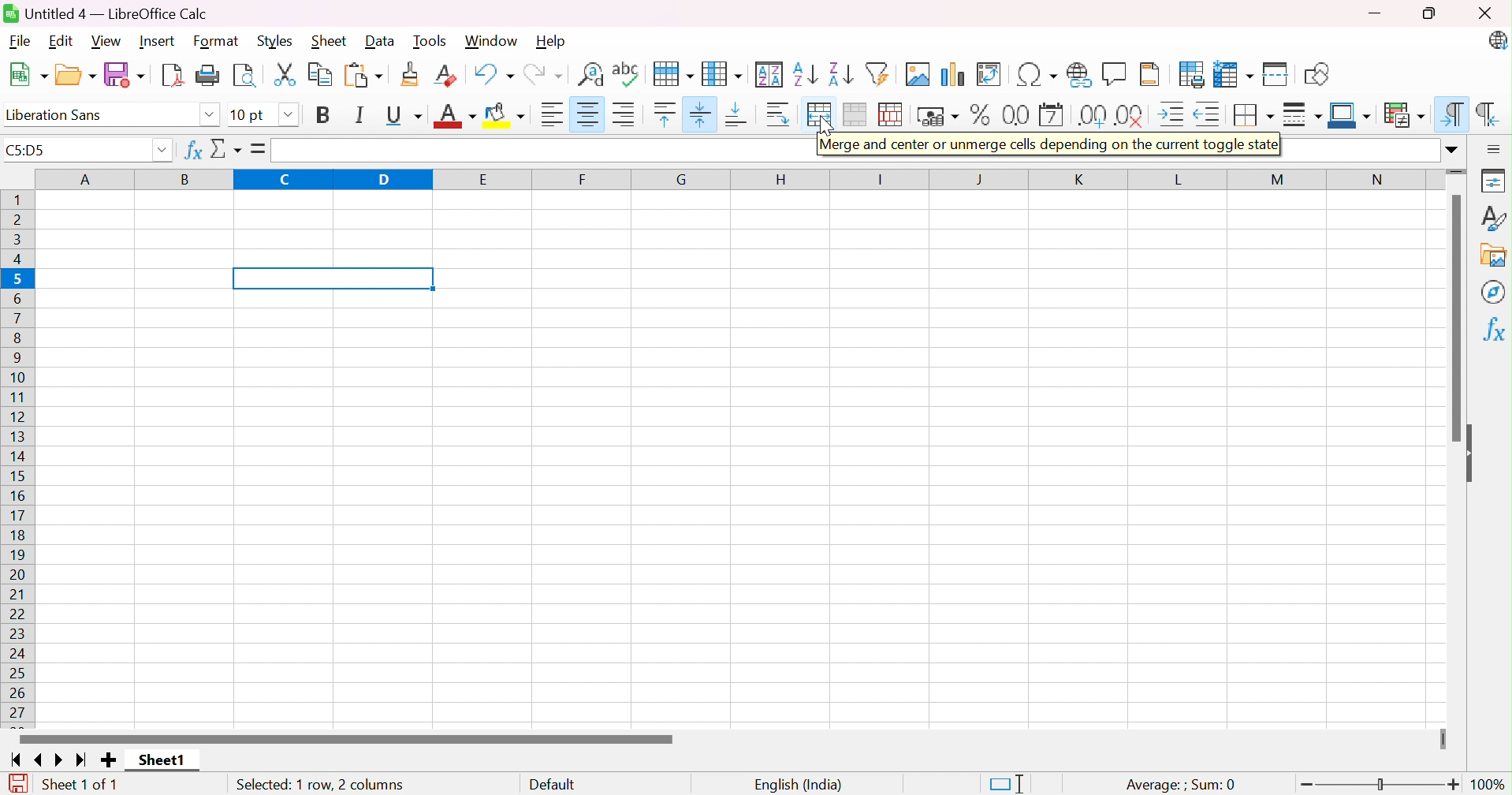 Image resolution: width=1512 pixels, height=795 pixels. Describe the element at coordinates (1492, 330) in the screenshot. I see `Functions` at that location.